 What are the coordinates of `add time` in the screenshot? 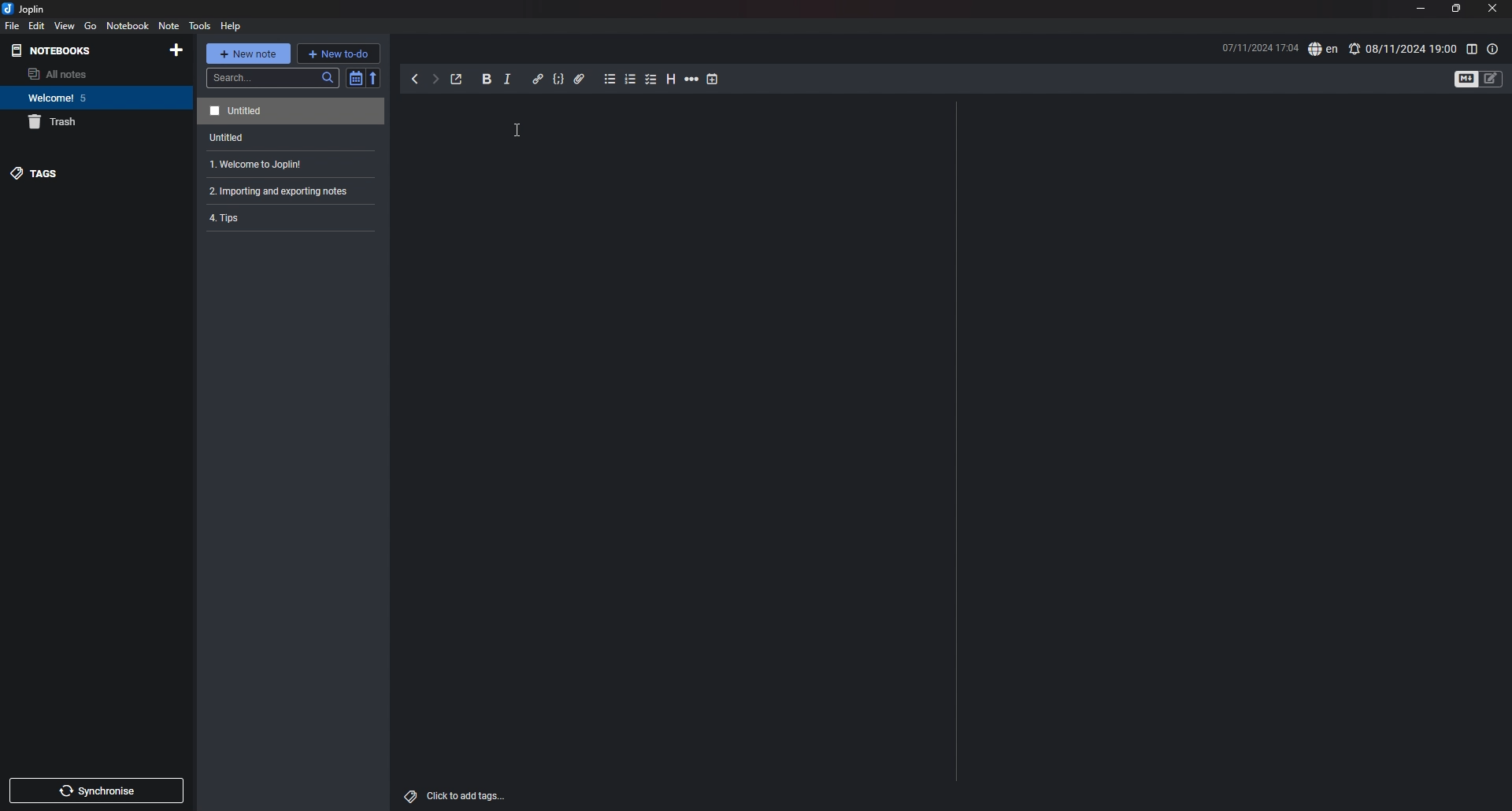 It's located at (713, 79).